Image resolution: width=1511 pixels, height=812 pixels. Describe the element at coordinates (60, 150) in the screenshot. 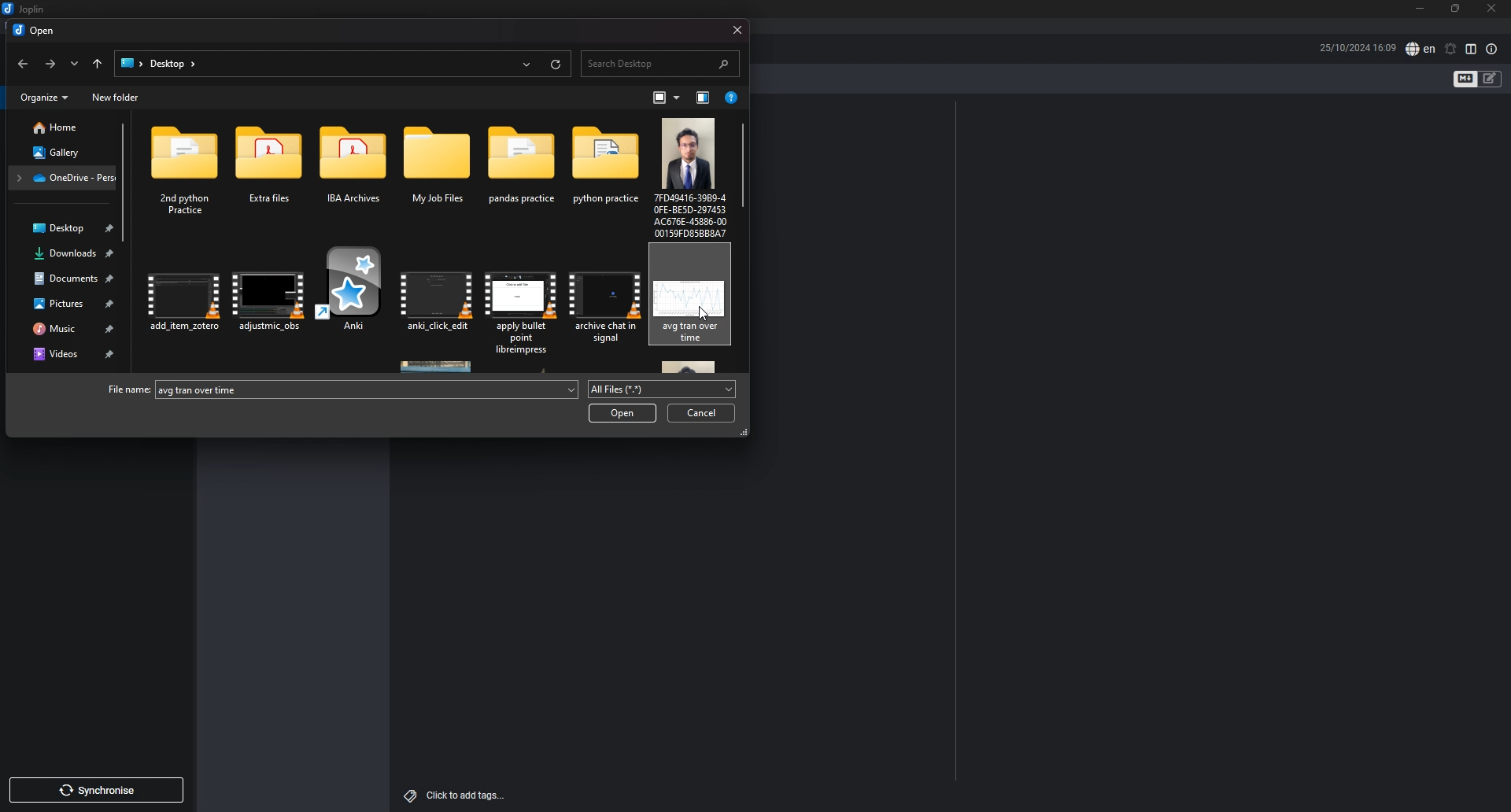

I see `gallery` at that location.